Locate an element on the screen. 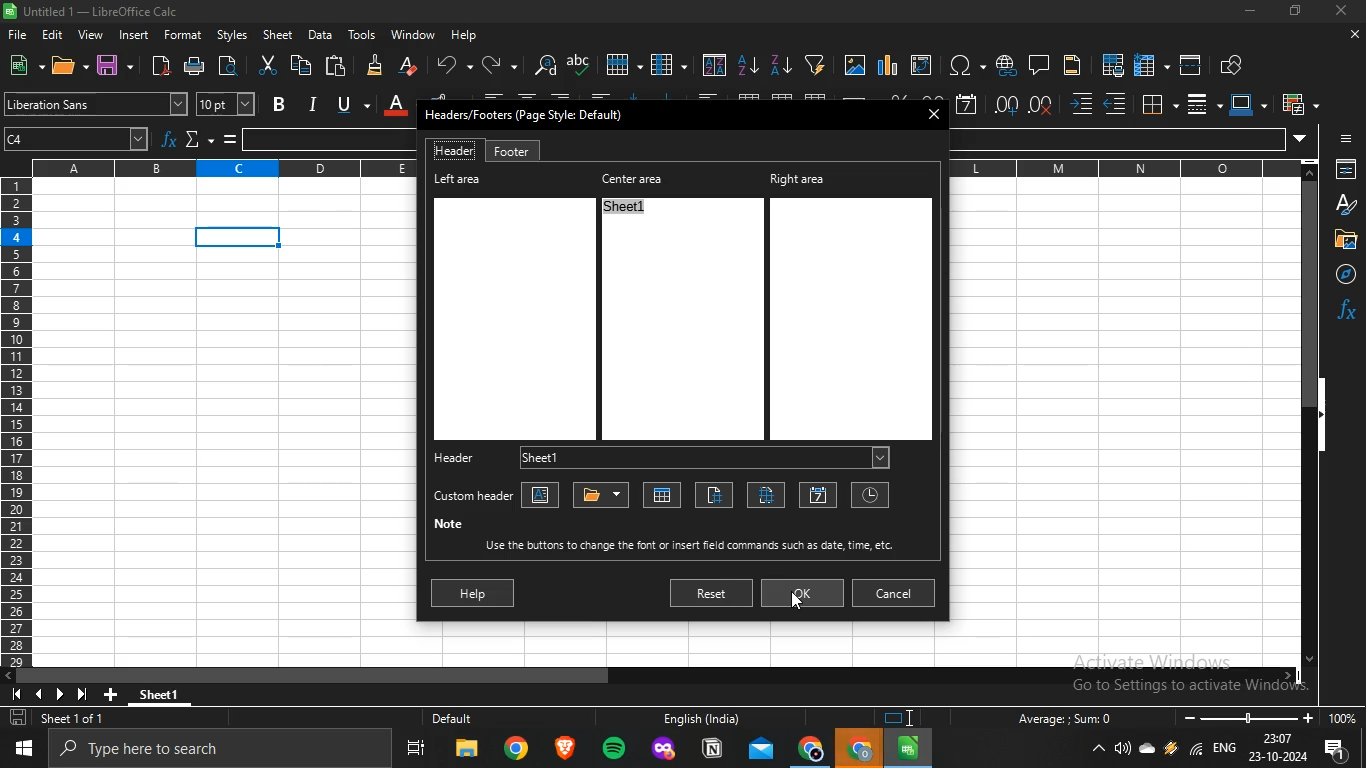 This screenshot has width=1366, height=768. mozilla firefox is located at coordinates (664, 750).